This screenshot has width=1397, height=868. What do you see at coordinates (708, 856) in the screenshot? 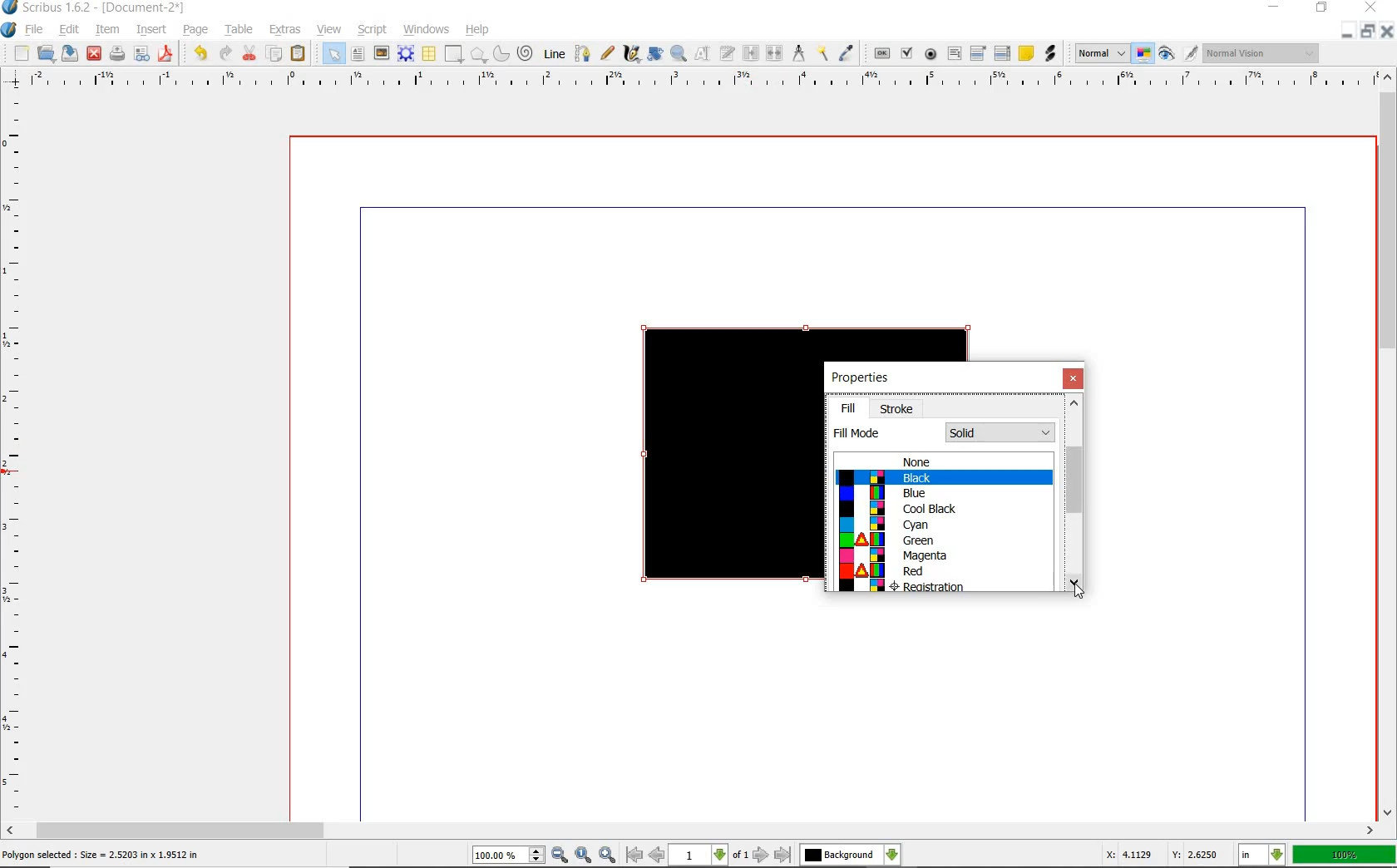
I see `select current page` at bounding box center [708, 856].